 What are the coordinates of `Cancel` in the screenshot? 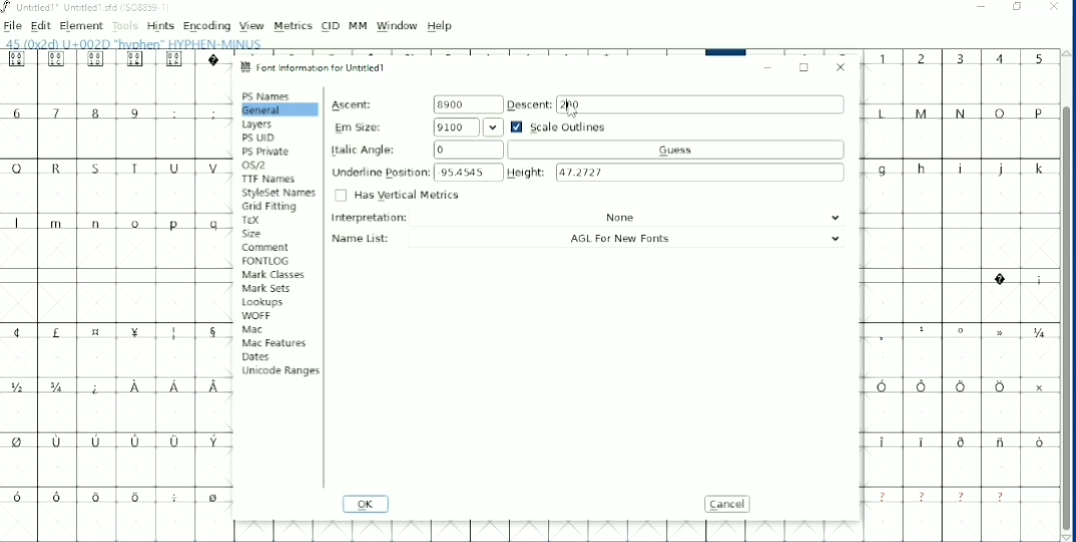 It's located at (730, 504).